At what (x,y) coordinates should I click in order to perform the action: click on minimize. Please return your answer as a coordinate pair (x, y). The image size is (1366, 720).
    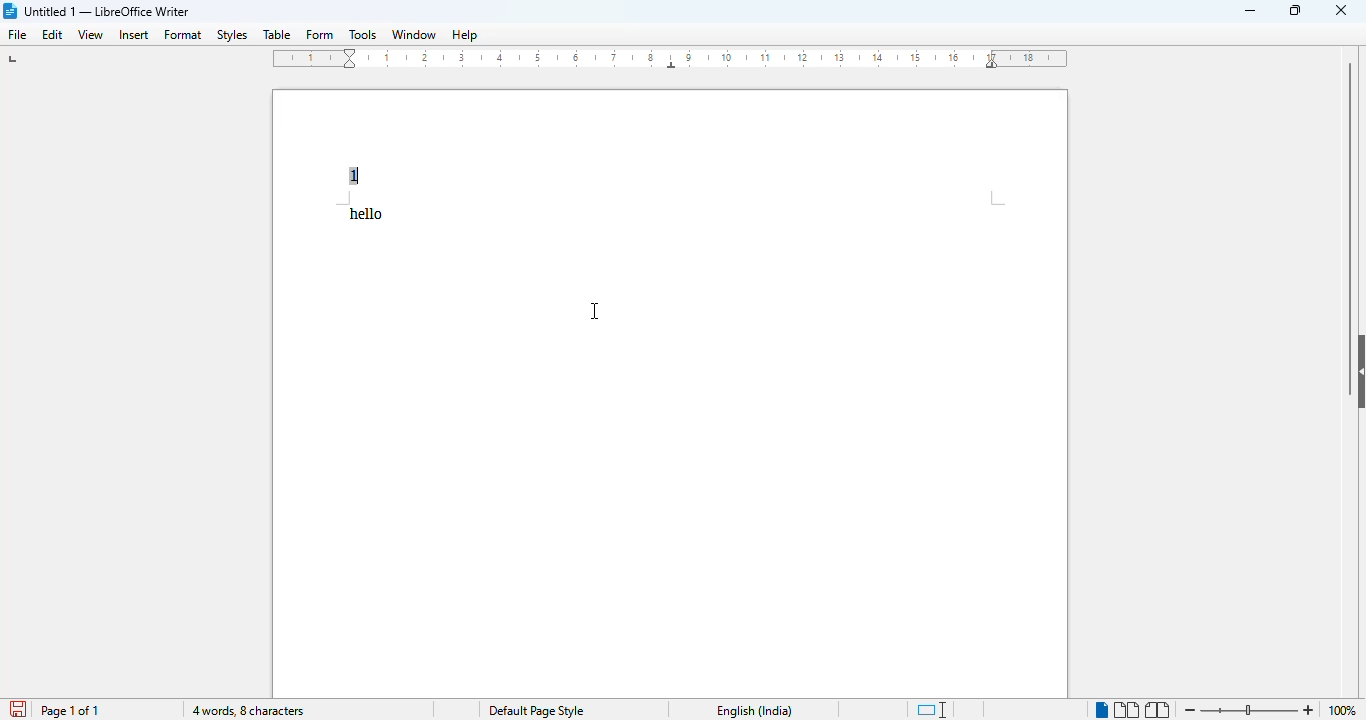
    Looking at the image, I should click on (1249, 11).